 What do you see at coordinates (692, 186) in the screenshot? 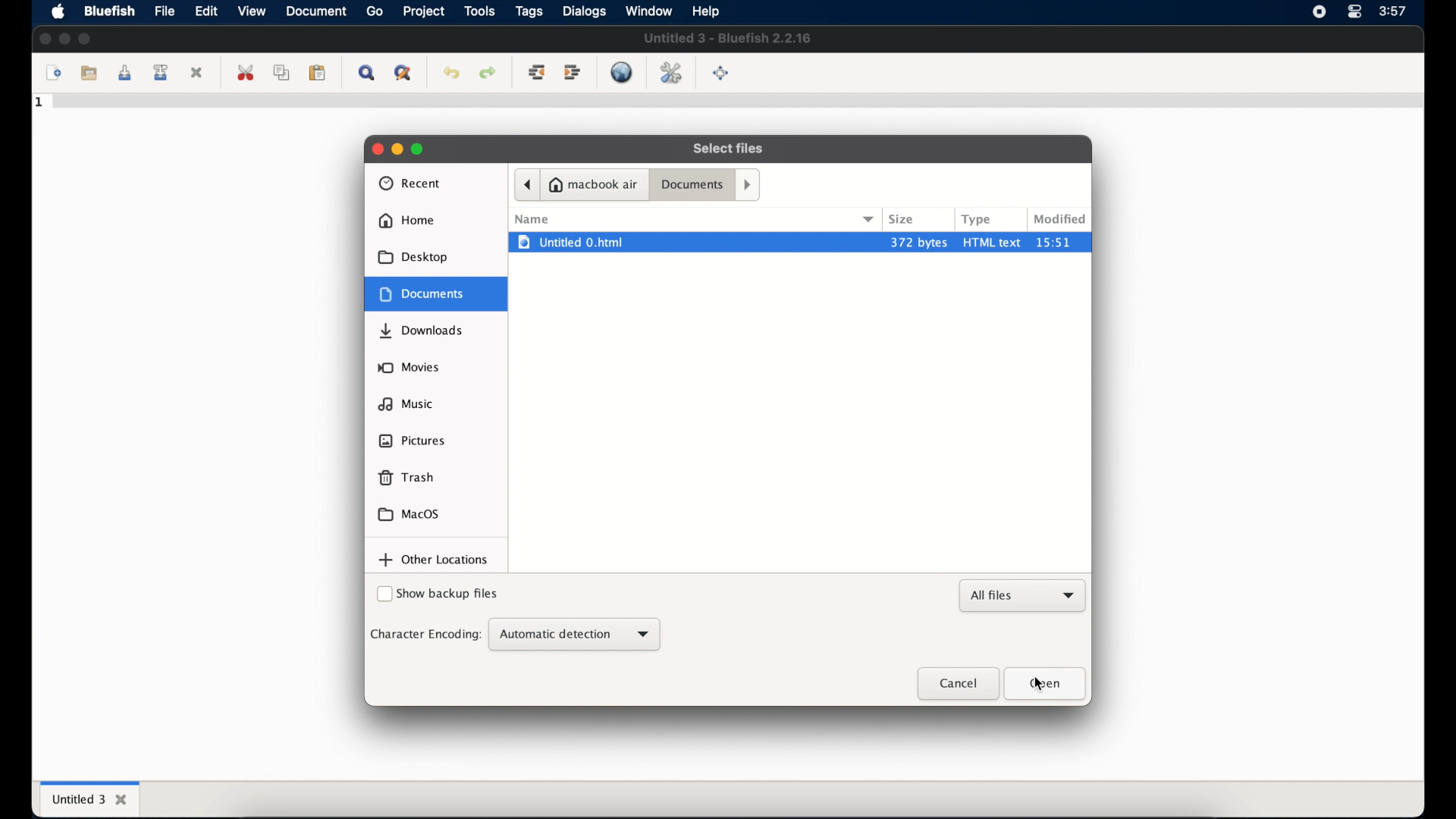
I see `documents` at bounding box center [692, 186].